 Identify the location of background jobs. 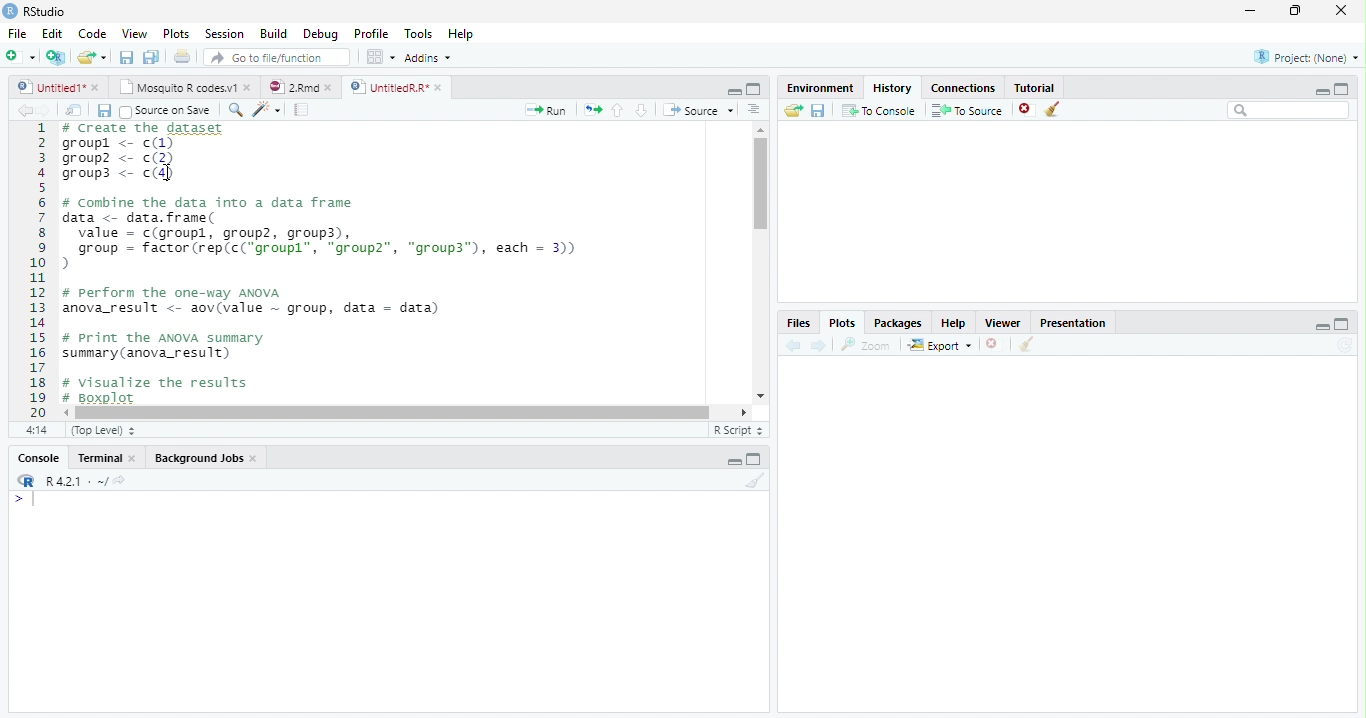
(207, 460).